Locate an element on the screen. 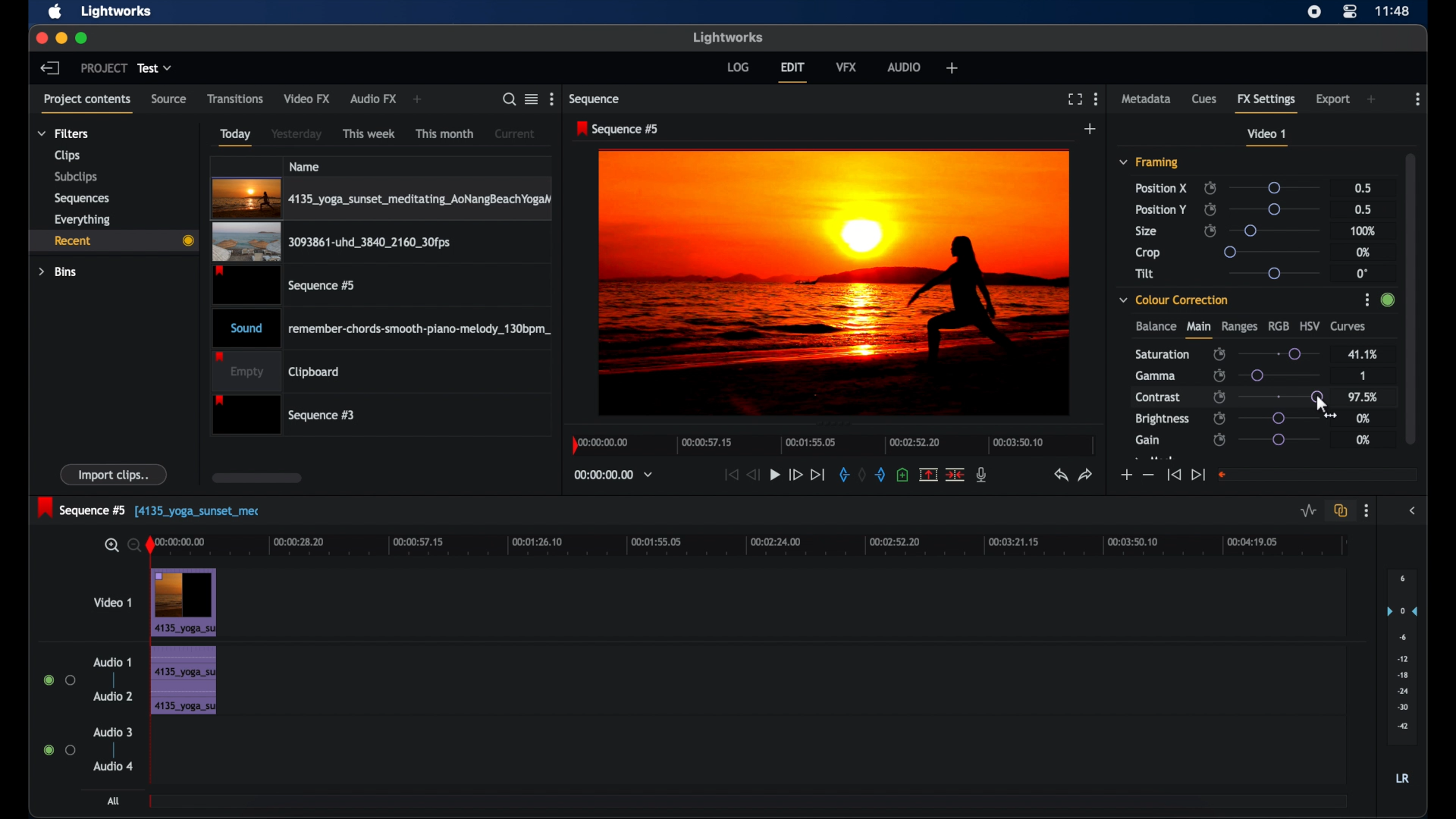 This screenshot has height=819, width=1456. slider is located at coordinates (1273, 251).